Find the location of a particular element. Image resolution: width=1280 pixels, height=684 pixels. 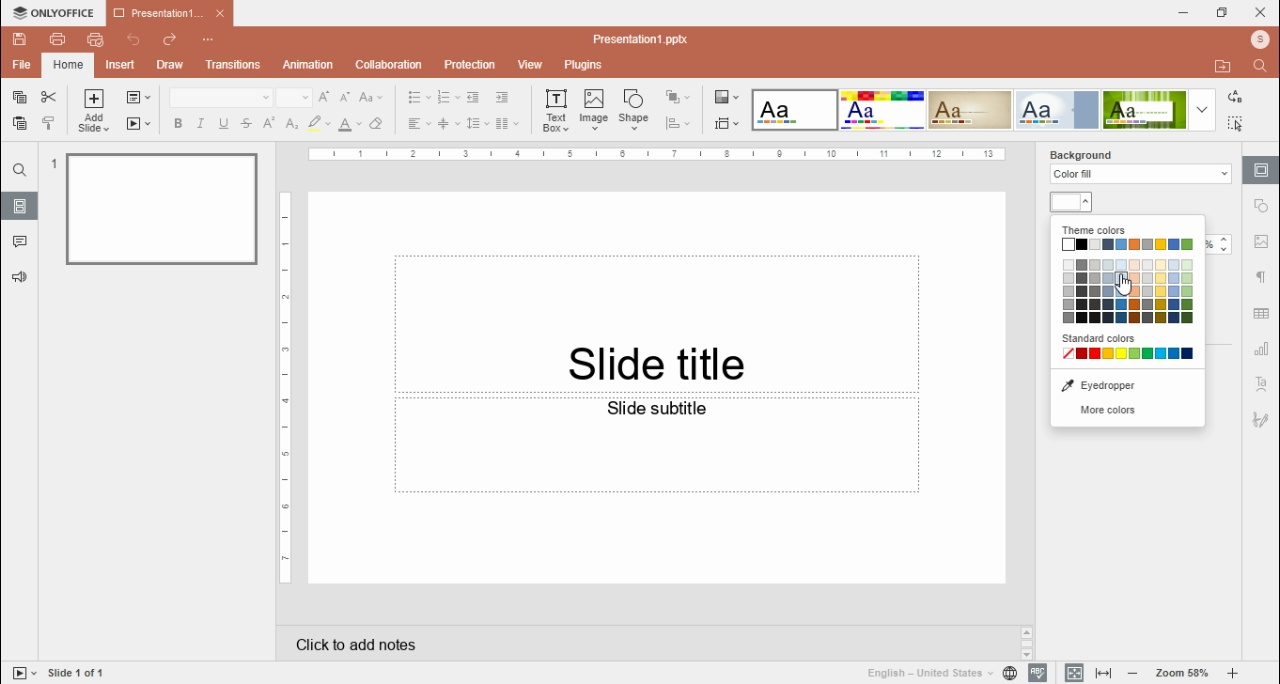

star slideshow is located at coordinates (139, 124).